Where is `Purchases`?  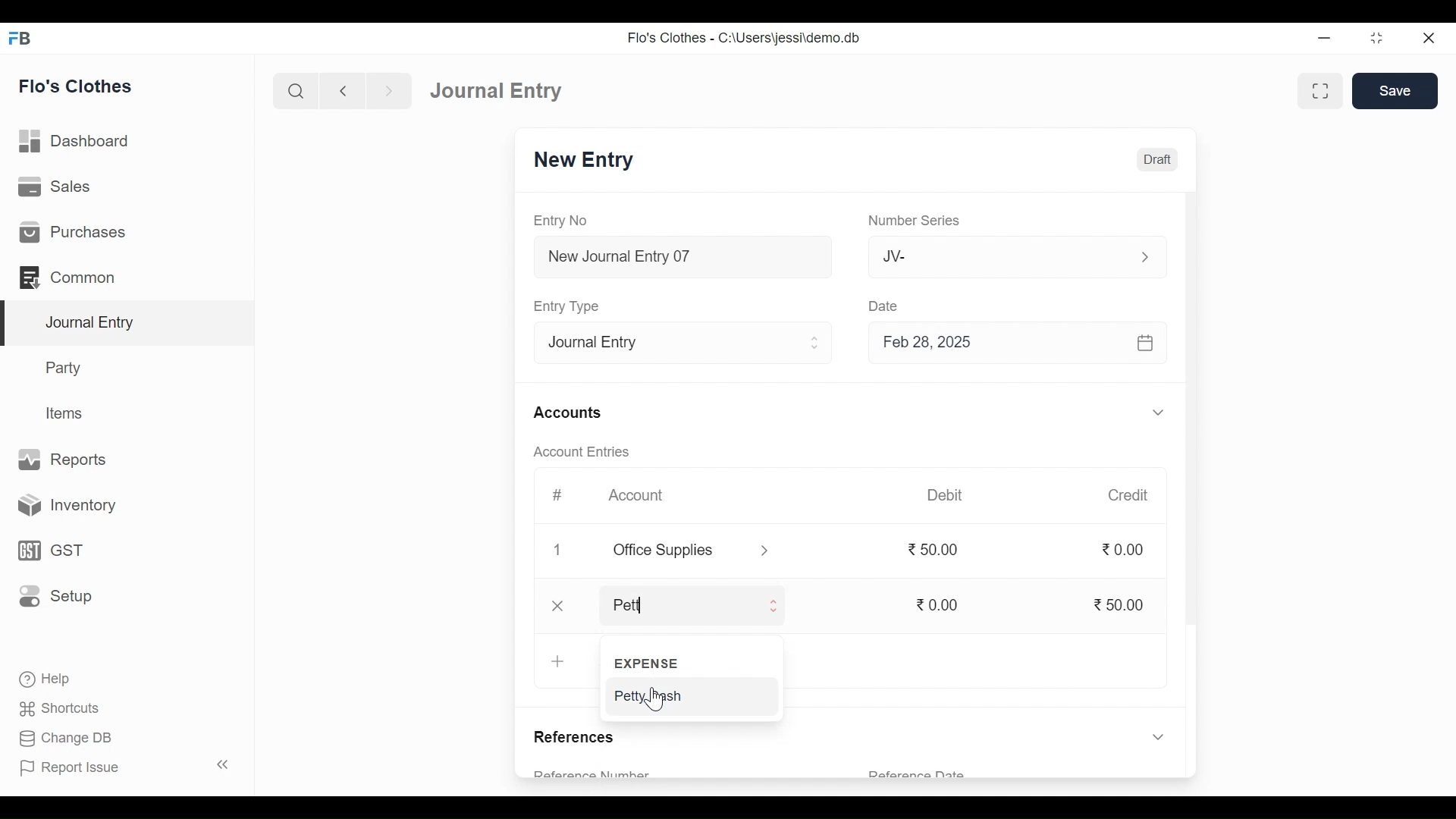 Purchases is located at coordinates (73, 231).